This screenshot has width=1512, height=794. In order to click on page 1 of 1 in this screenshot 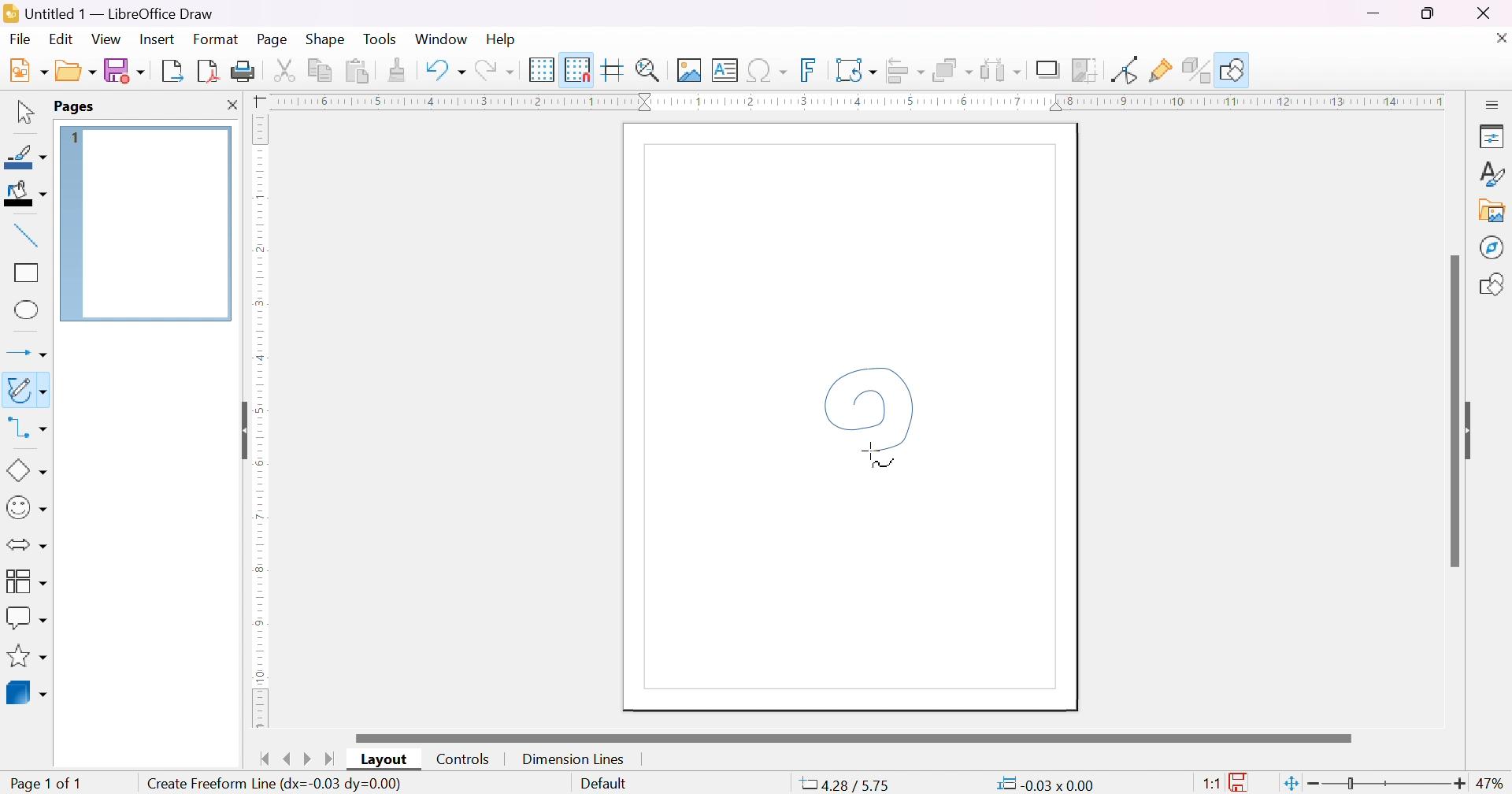, I will do `click(43, 783)`.